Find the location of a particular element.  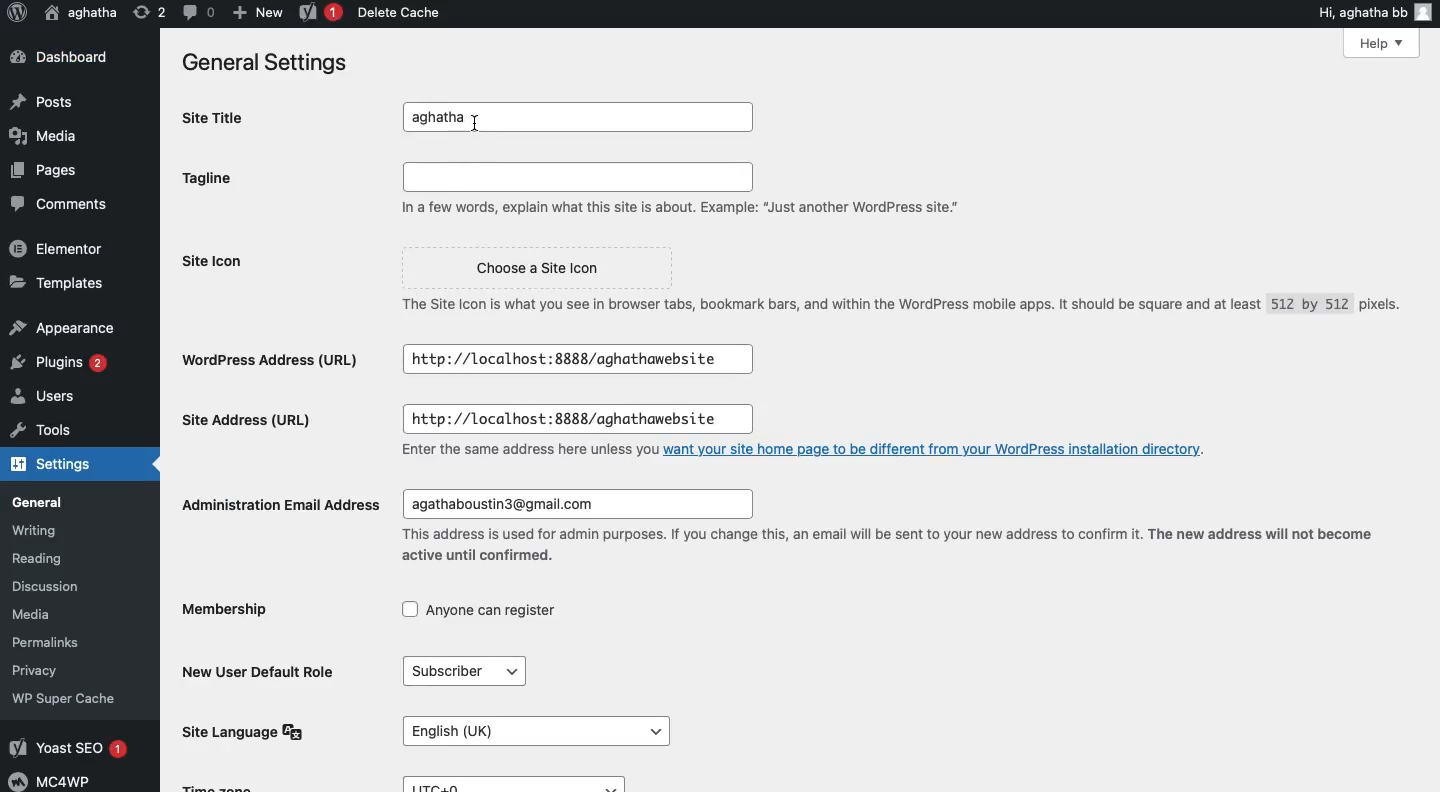

Yoast SEO is located at coordinates (69, 748).